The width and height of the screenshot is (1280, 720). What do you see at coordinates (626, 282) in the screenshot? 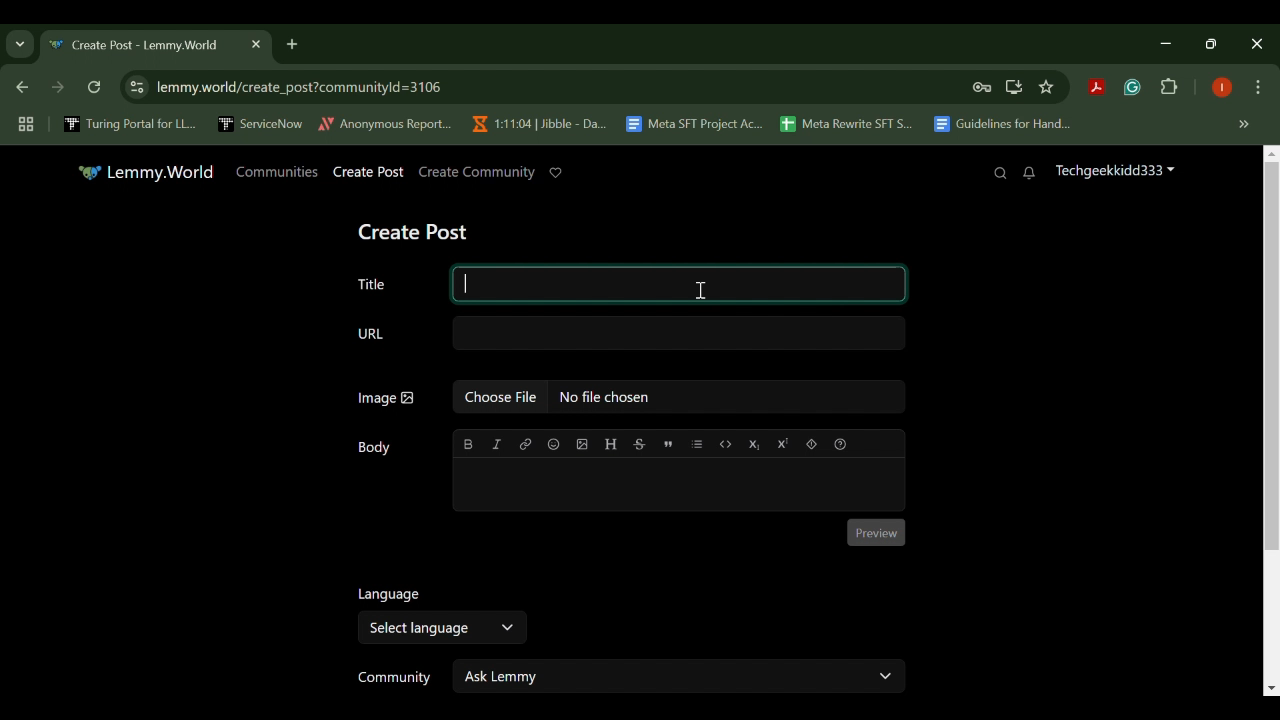
I see `Title Selected` at bounding box center [626, 282].